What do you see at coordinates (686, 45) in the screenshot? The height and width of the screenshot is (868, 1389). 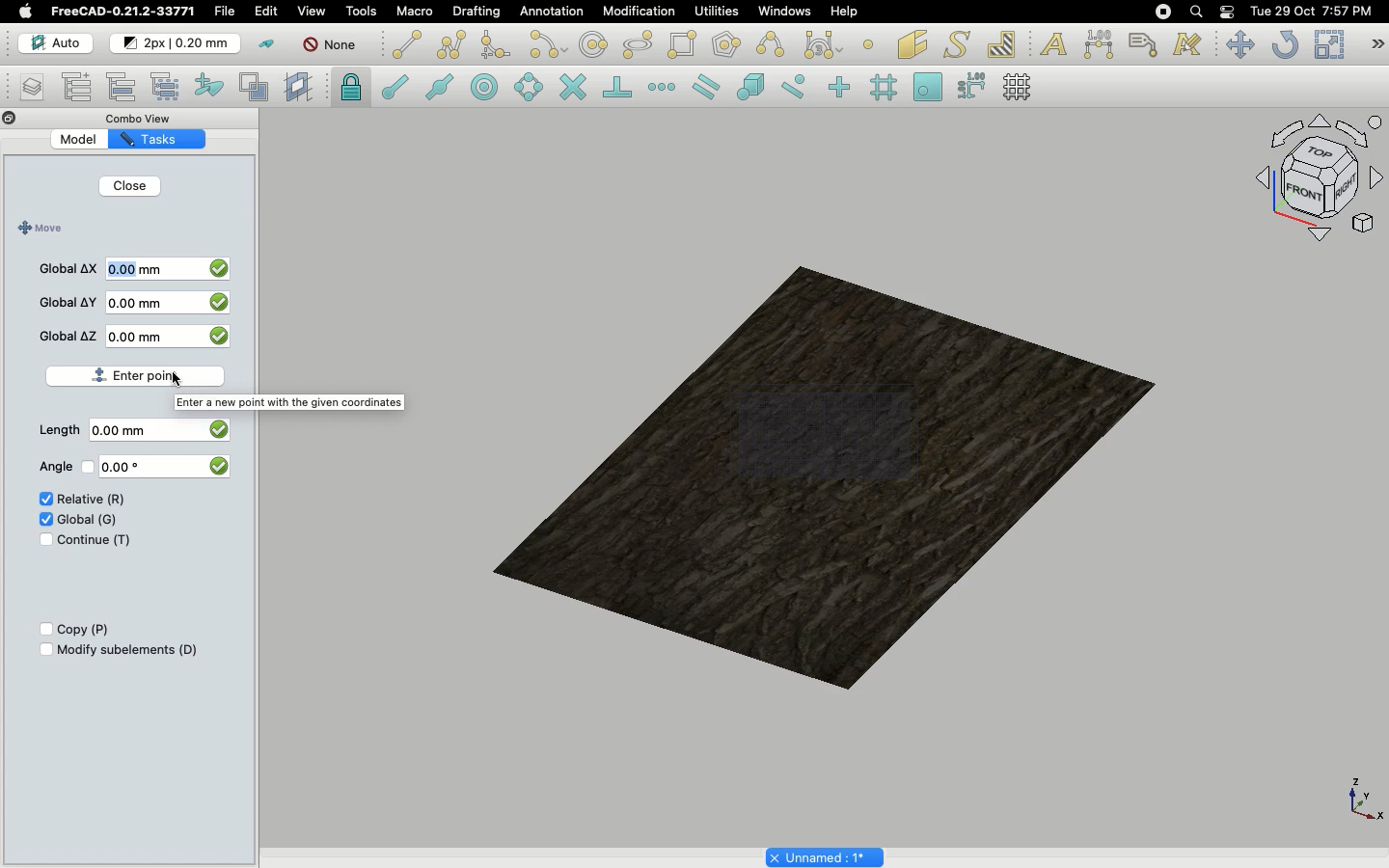 I see `Rectangle` at bounding box center [686, 45].